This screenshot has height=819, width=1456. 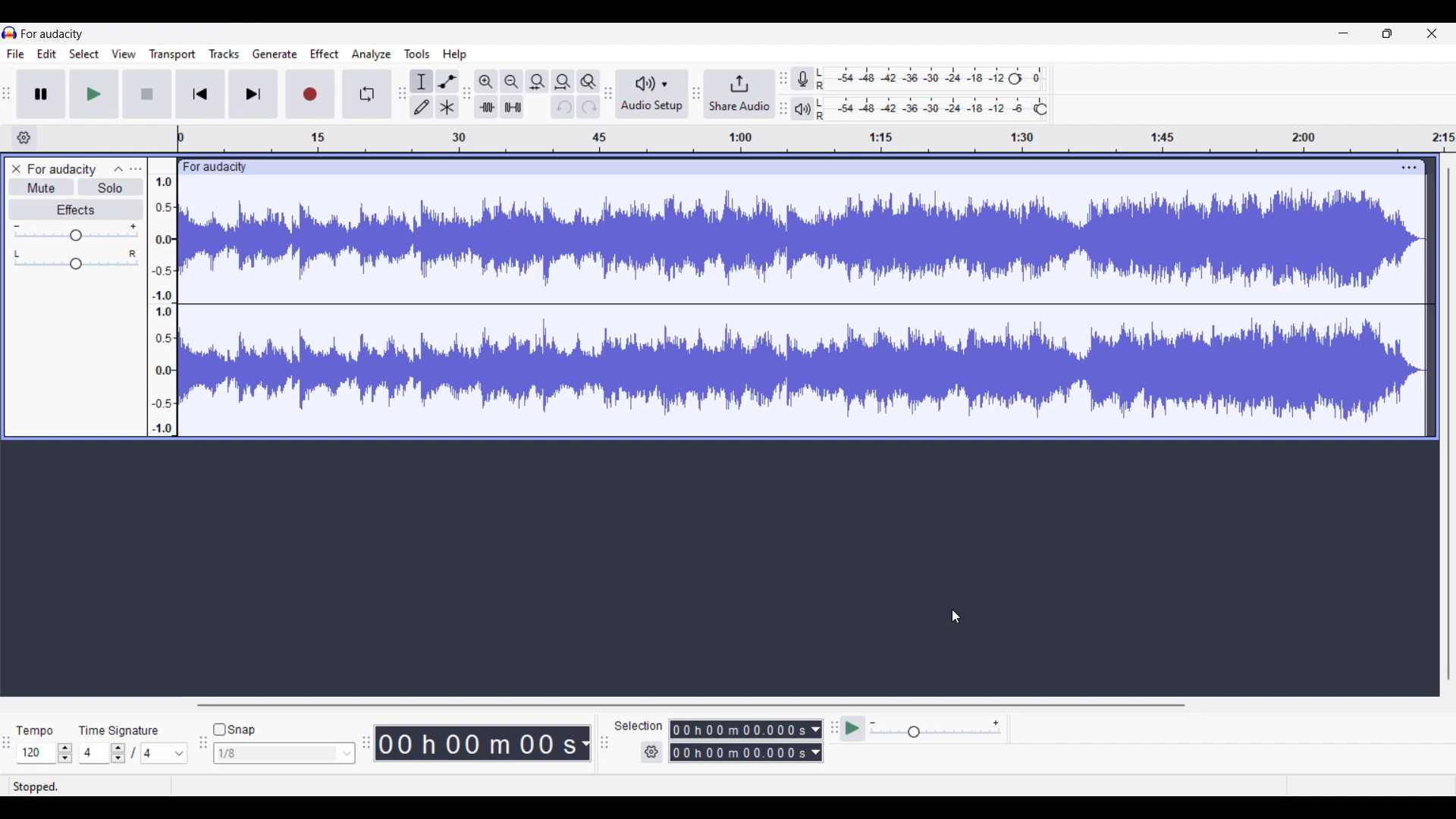 I want to click on Record meter, so click(x=802, y=79).